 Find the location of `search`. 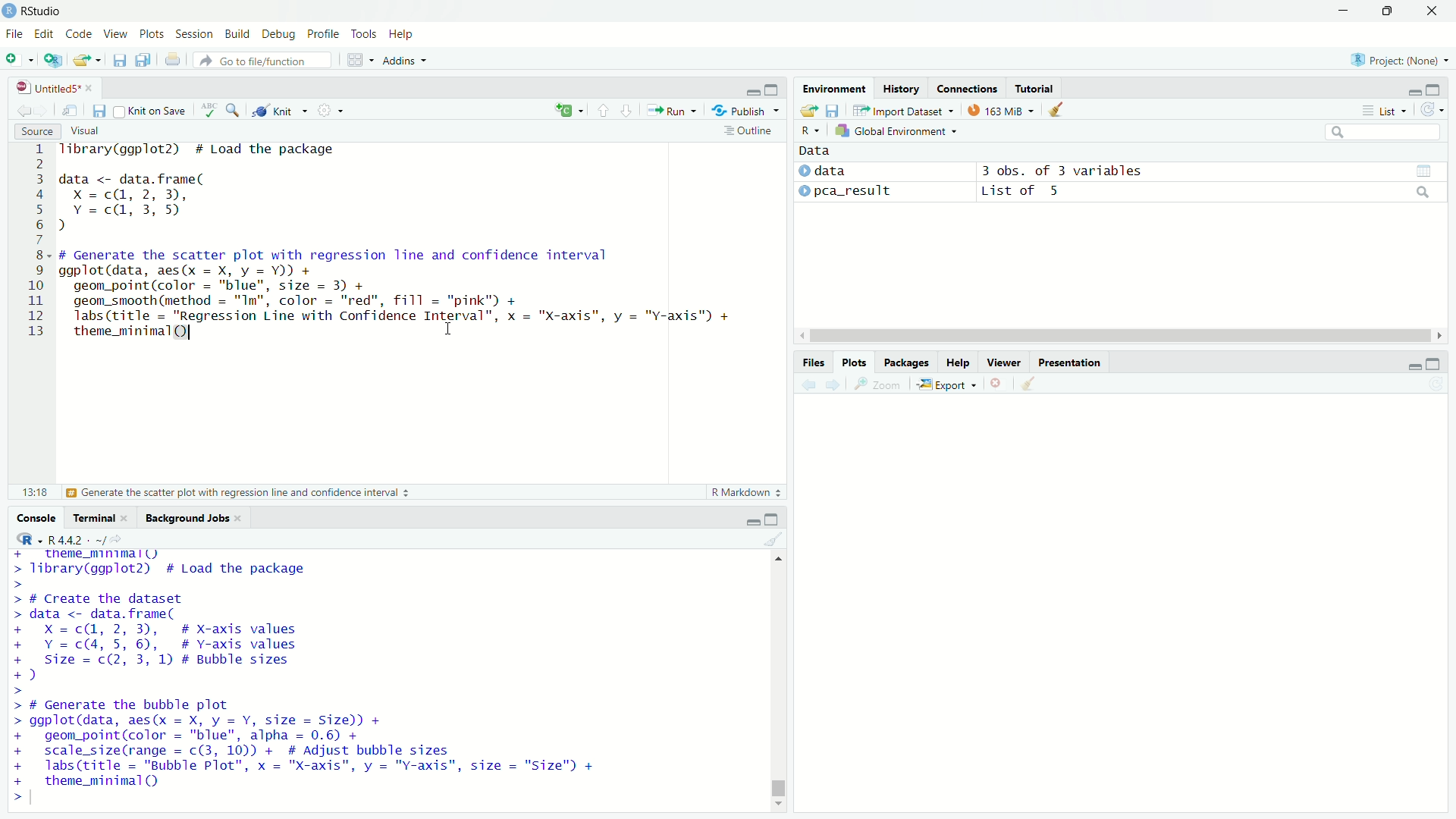

search is located at coordinates (1383, 132).